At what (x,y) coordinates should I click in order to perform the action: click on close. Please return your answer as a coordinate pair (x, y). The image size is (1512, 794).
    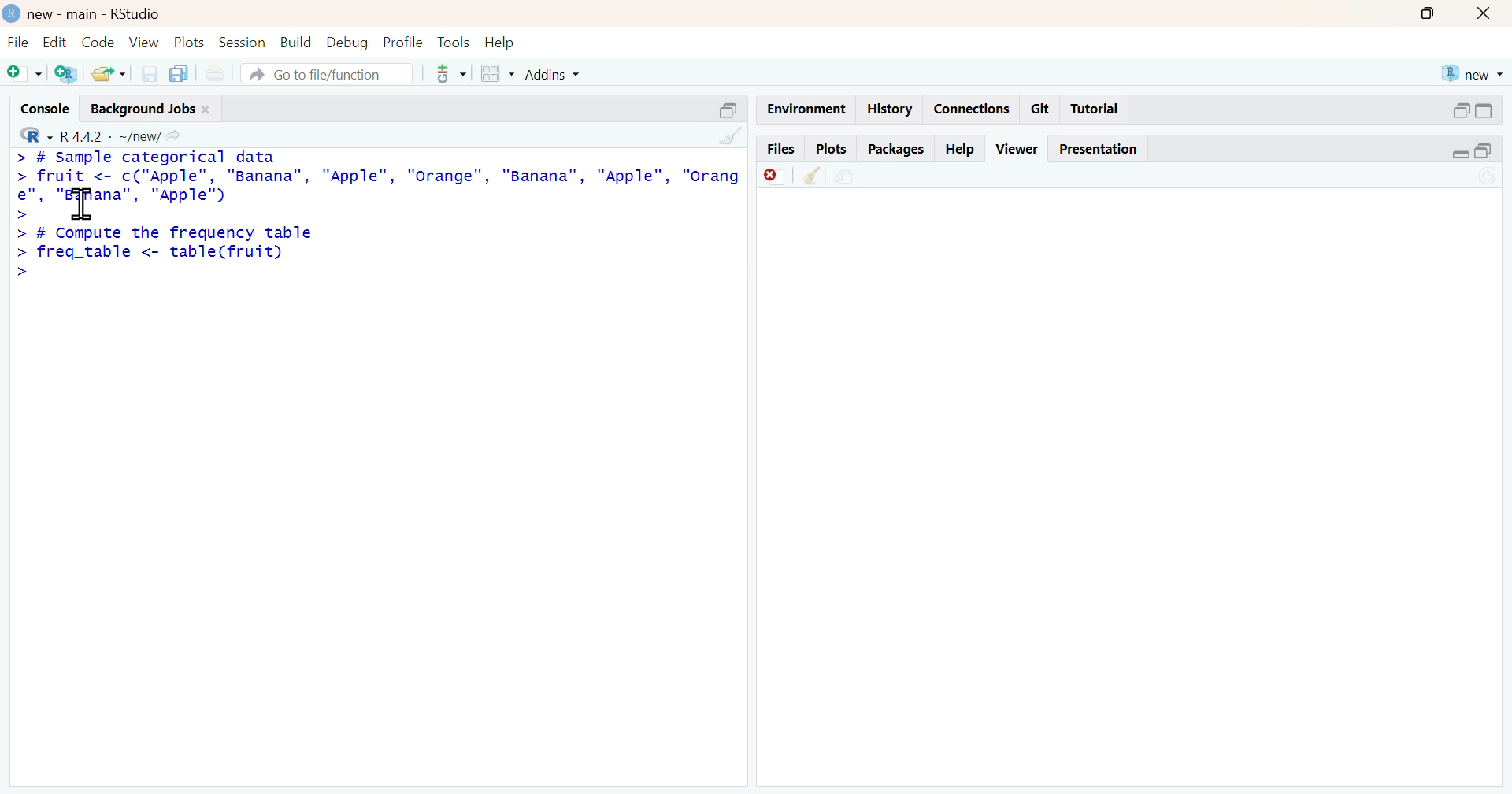
    Looking at the image, I should click on (1488, 15).